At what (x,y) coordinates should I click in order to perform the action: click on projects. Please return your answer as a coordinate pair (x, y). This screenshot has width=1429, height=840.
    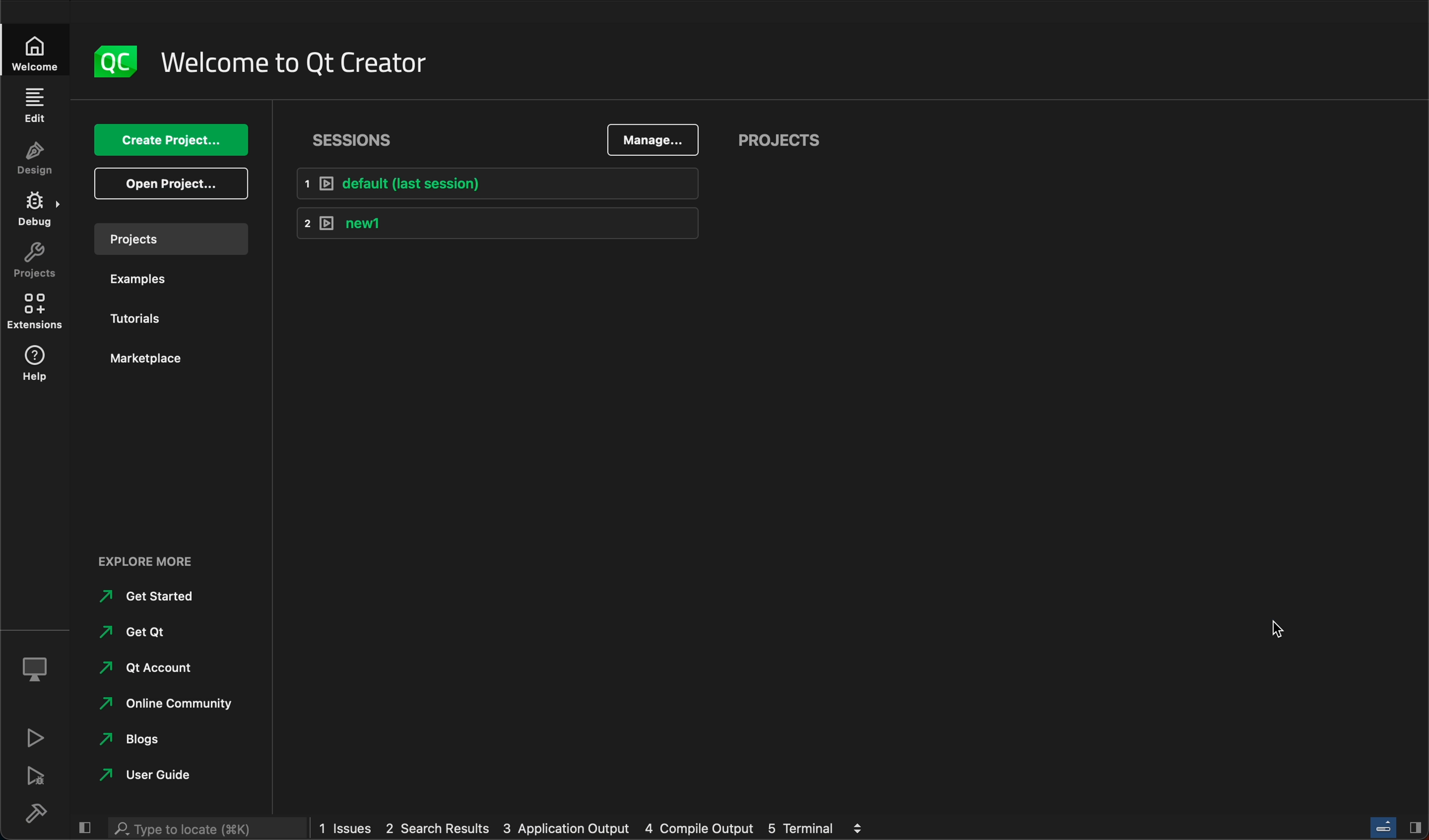
    Looking at the image, I should click on (33, 265).